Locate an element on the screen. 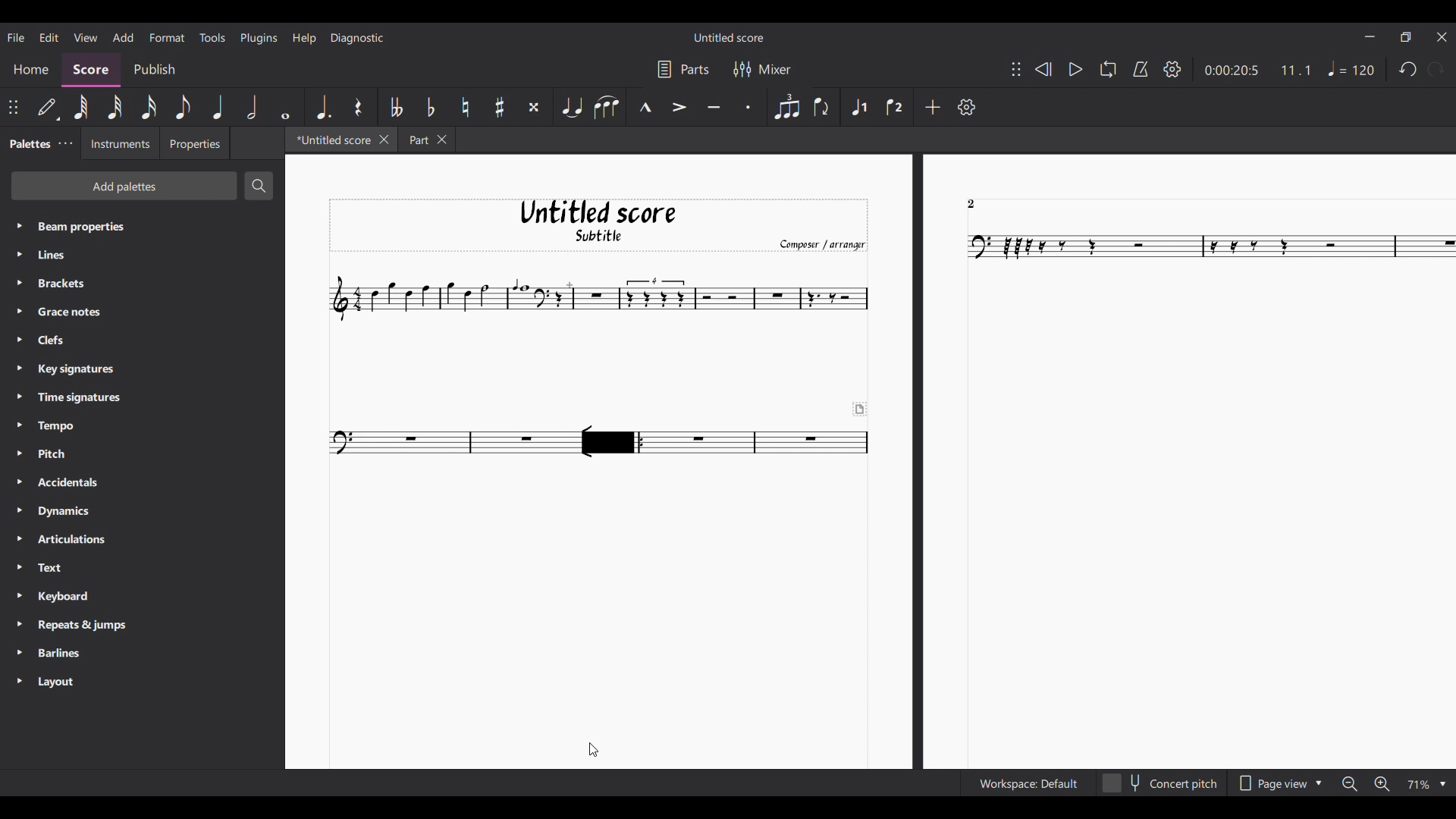  Flip direction is located at coordinates (824, 107).